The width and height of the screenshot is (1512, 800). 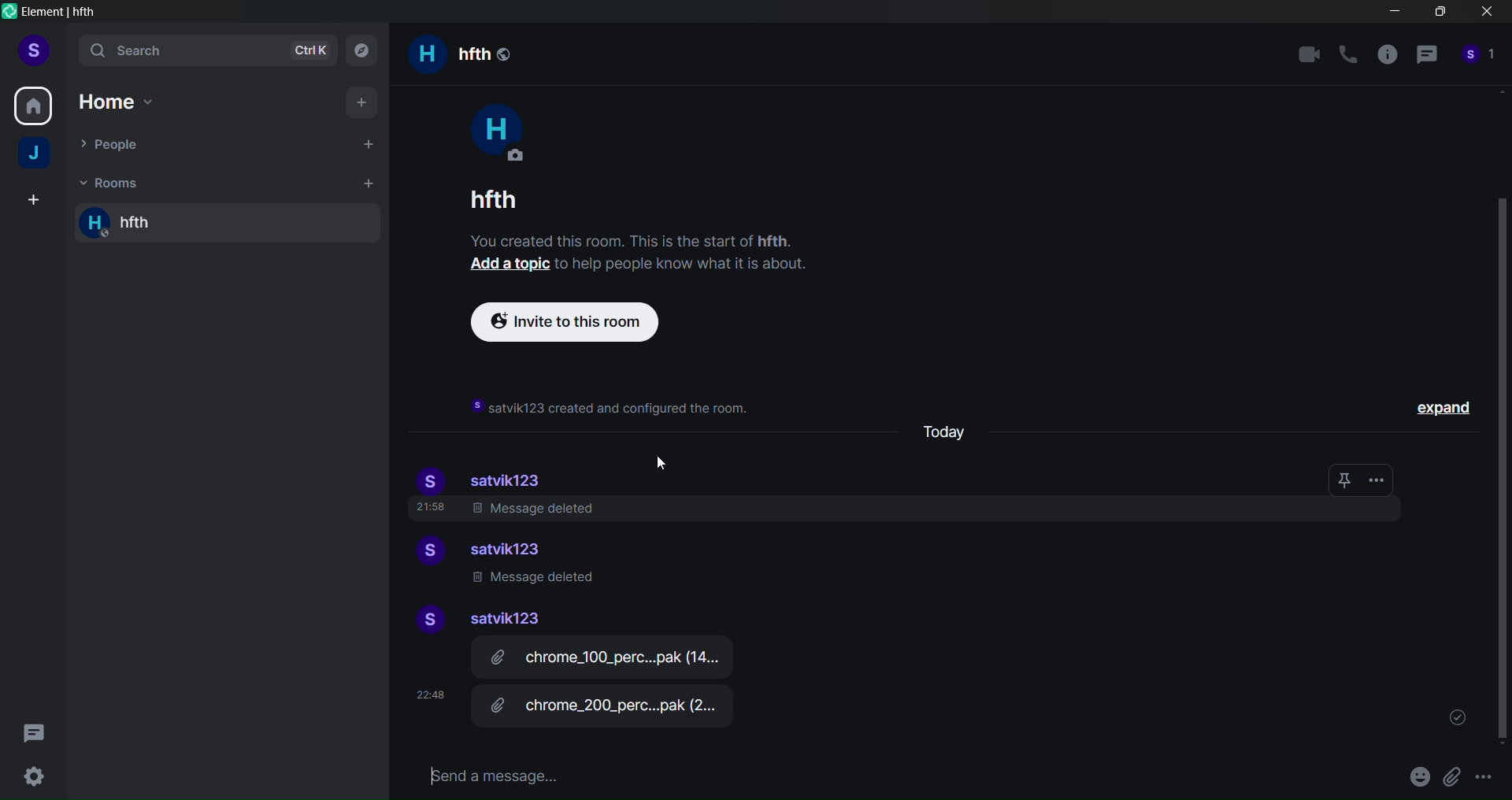 I want to click on people, so click(x=1479, y=59).